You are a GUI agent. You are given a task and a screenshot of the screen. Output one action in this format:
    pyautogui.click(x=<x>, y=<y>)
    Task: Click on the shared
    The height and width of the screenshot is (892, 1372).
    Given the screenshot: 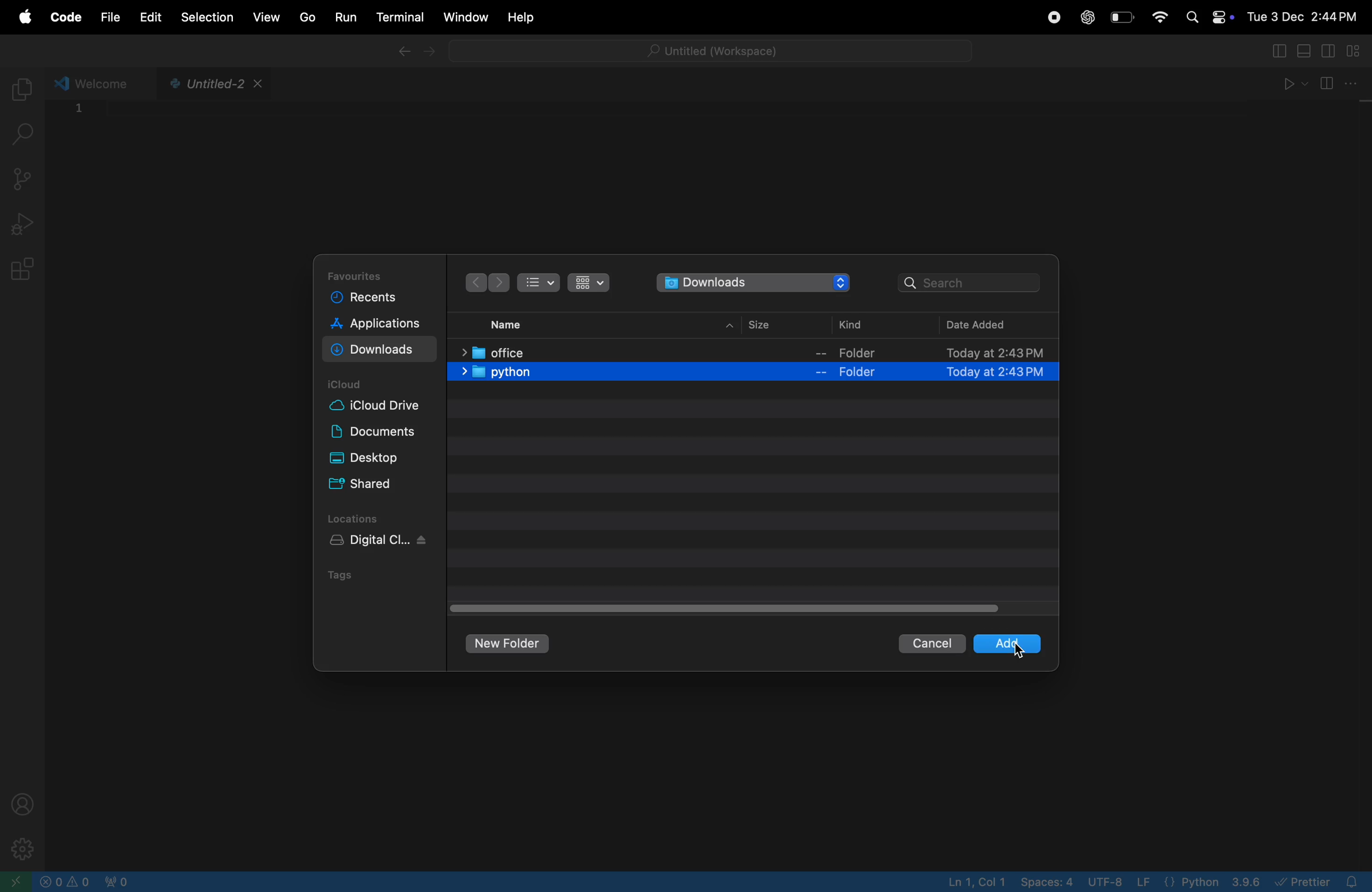 What is the action you would take?
    pyautogui.click(x=374, y=485)
    